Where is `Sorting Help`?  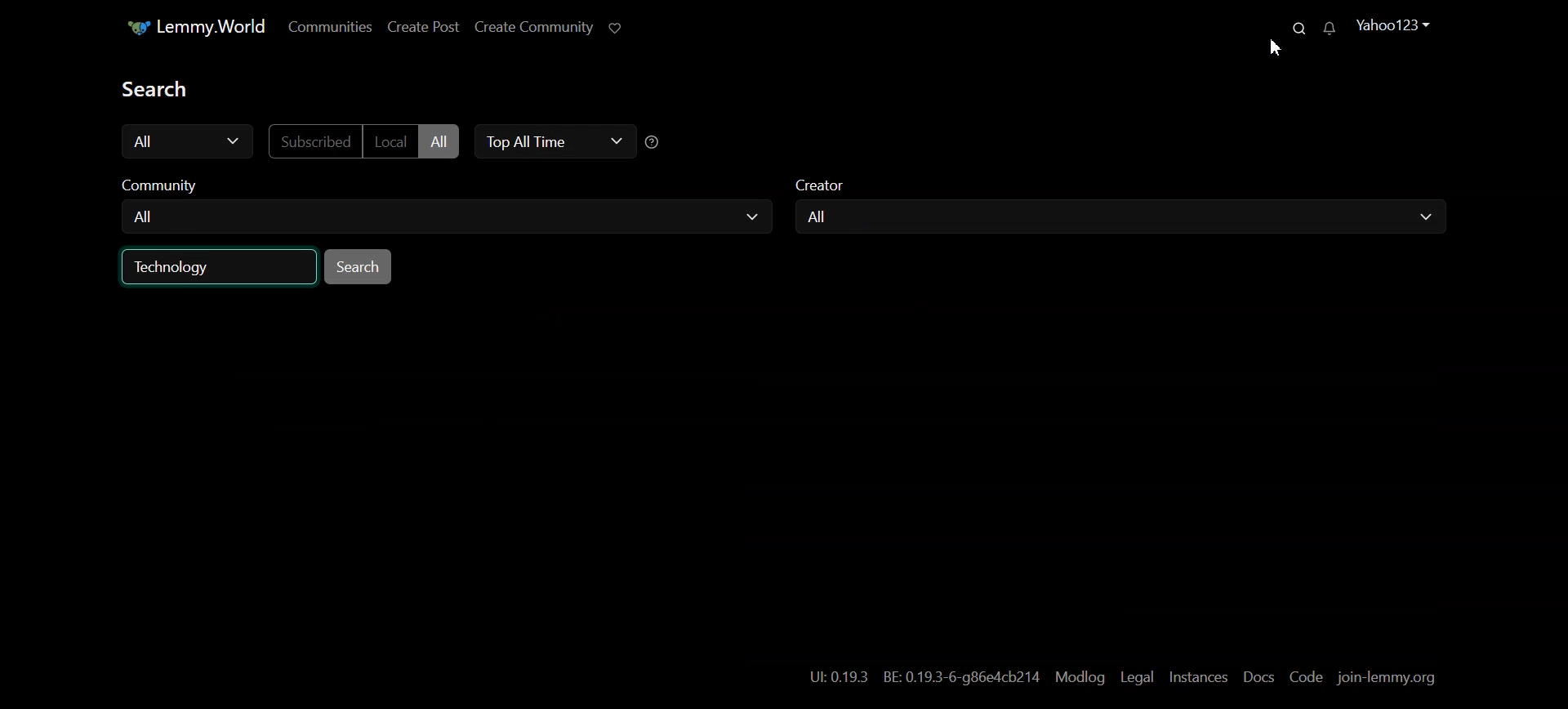
Sorting Help is located at coordinates (656, 141).